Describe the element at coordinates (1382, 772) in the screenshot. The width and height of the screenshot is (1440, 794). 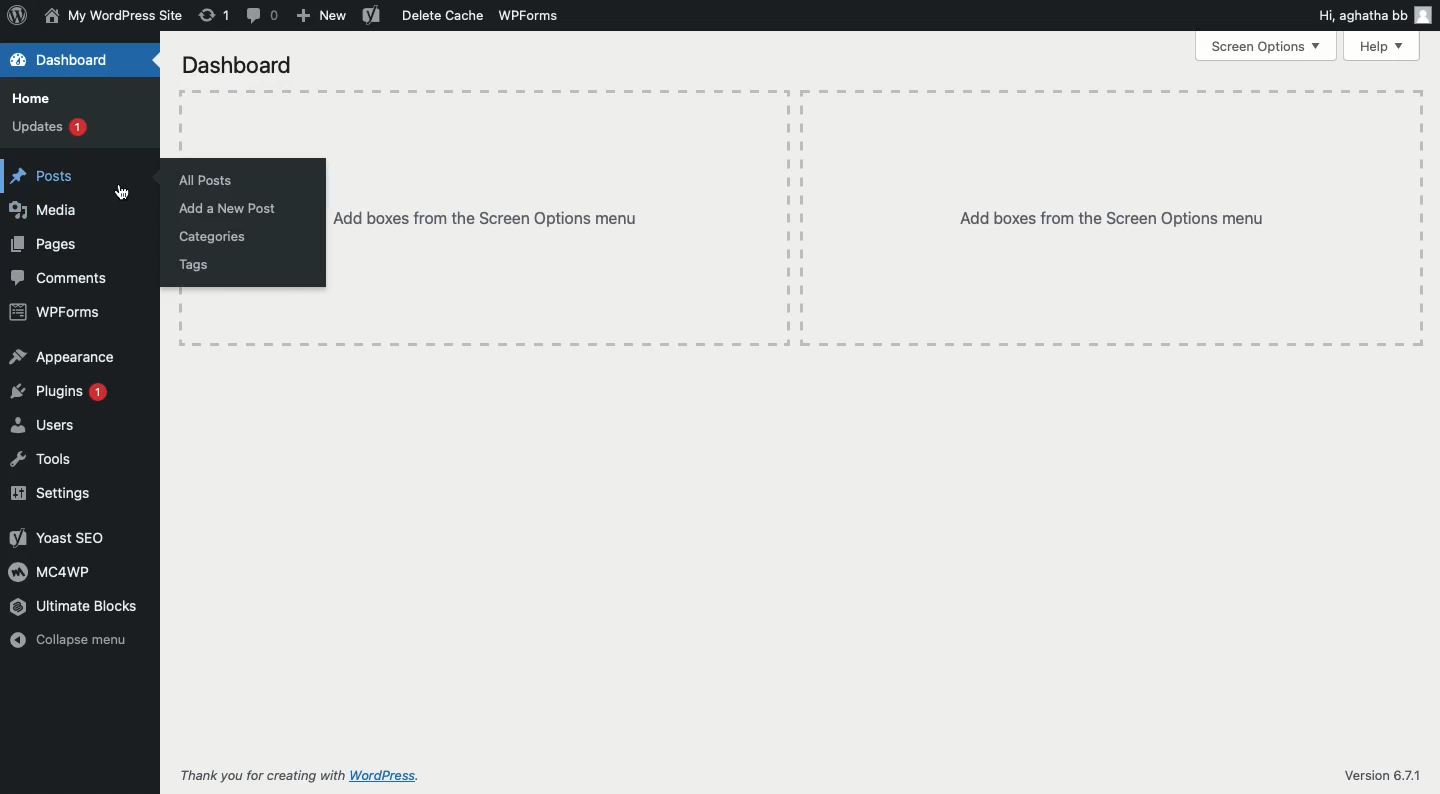
I see `Version 6.7.1` at that location.